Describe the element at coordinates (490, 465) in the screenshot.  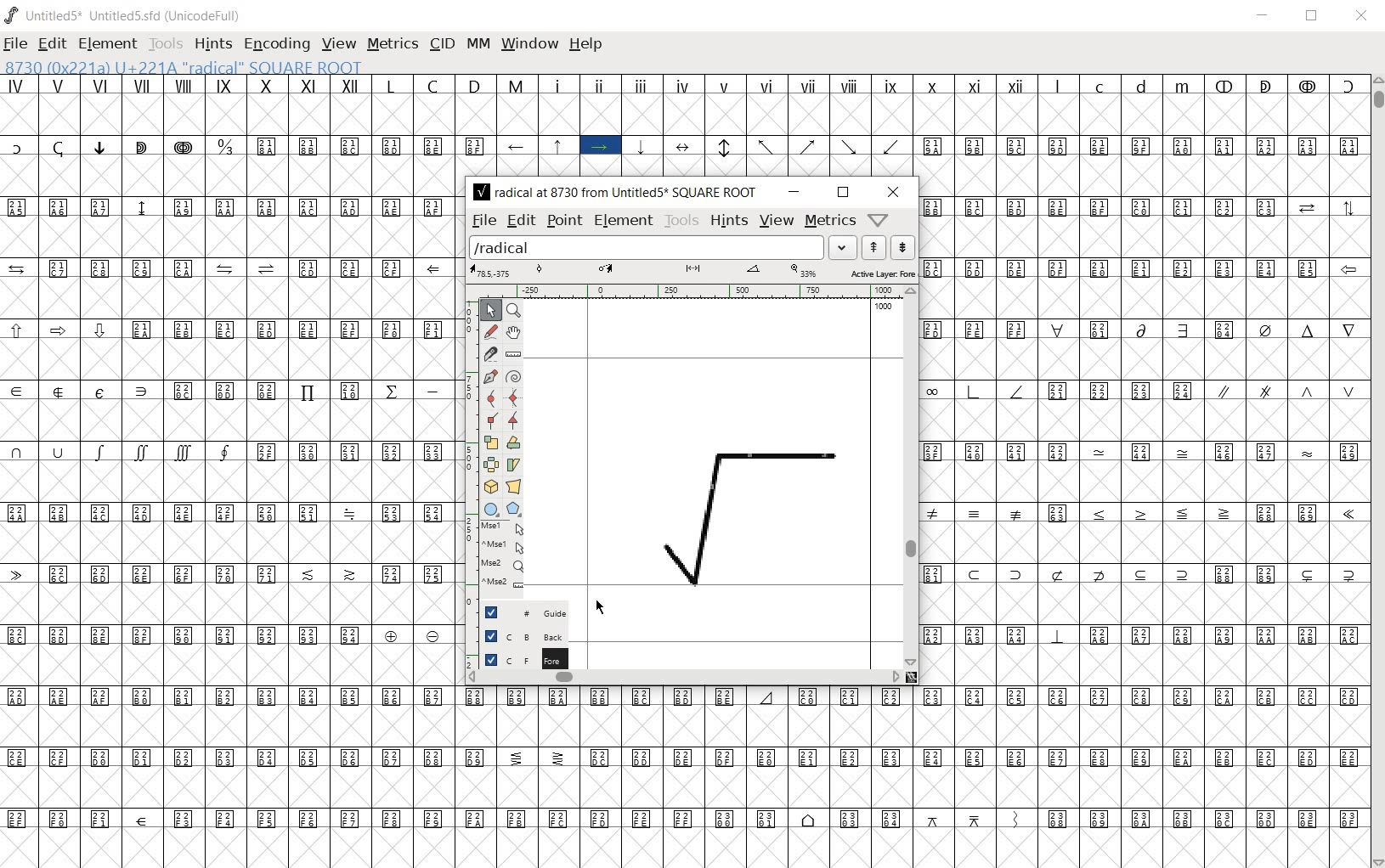
I see `flip the selection` at that location.